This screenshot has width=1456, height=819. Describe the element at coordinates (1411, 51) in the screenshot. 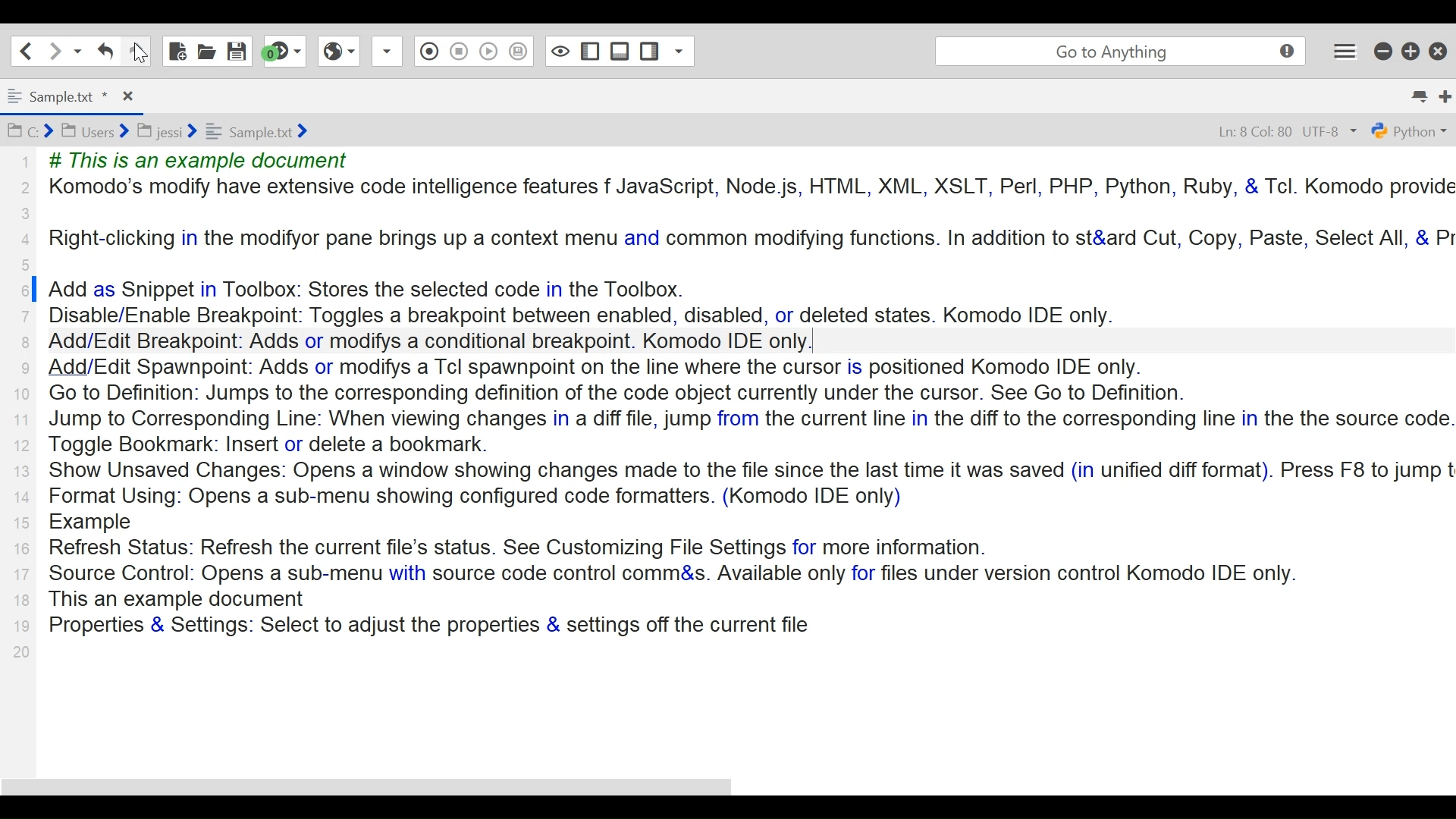

I see `Restore` at that location.